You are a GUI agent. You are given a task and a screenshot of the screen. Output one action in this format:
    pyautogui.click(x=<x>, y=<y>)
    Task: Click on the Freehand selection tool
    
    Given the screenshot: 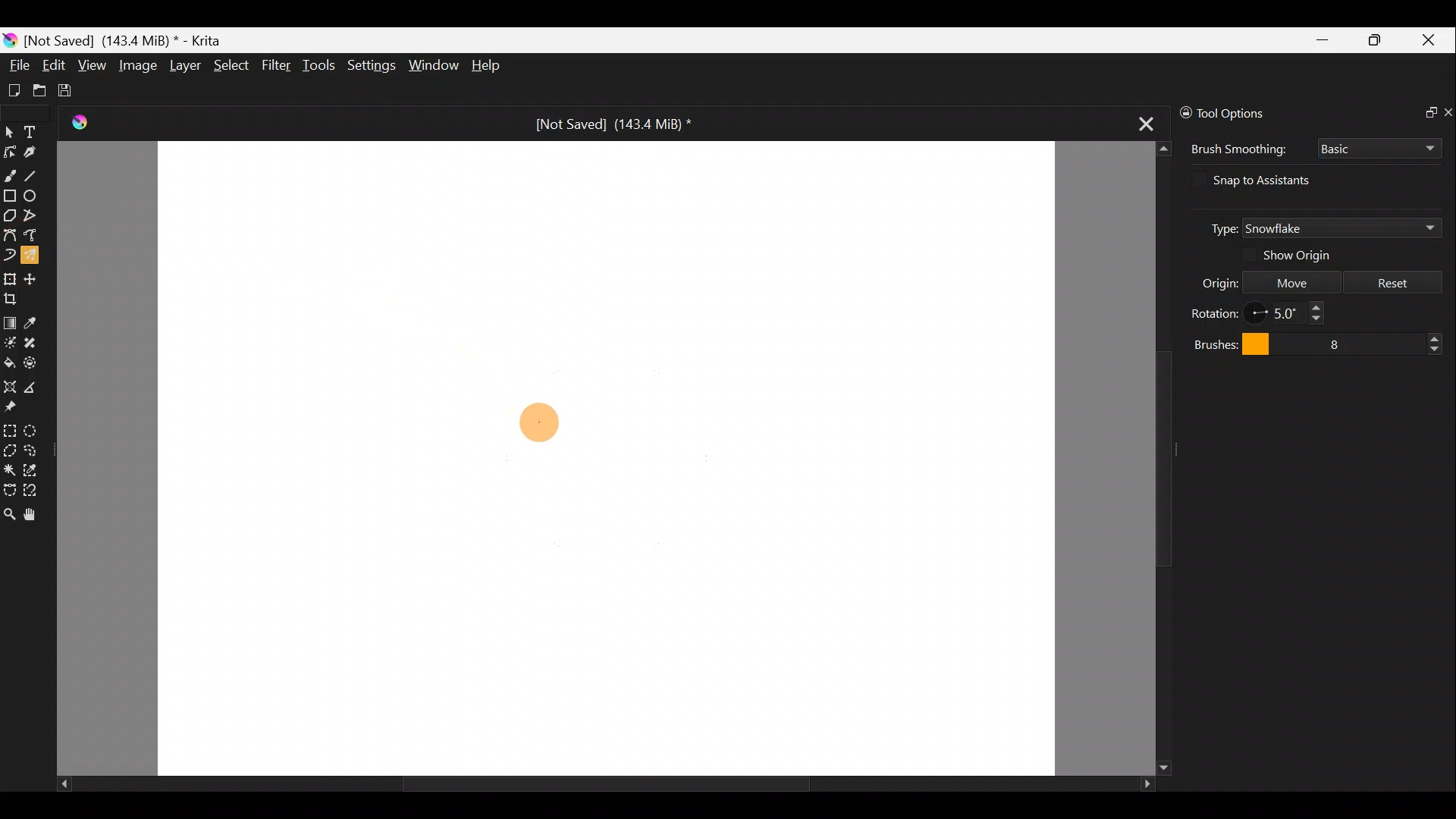 What is the action you would take?
    pyautogui.click(x=33, y=450)
    